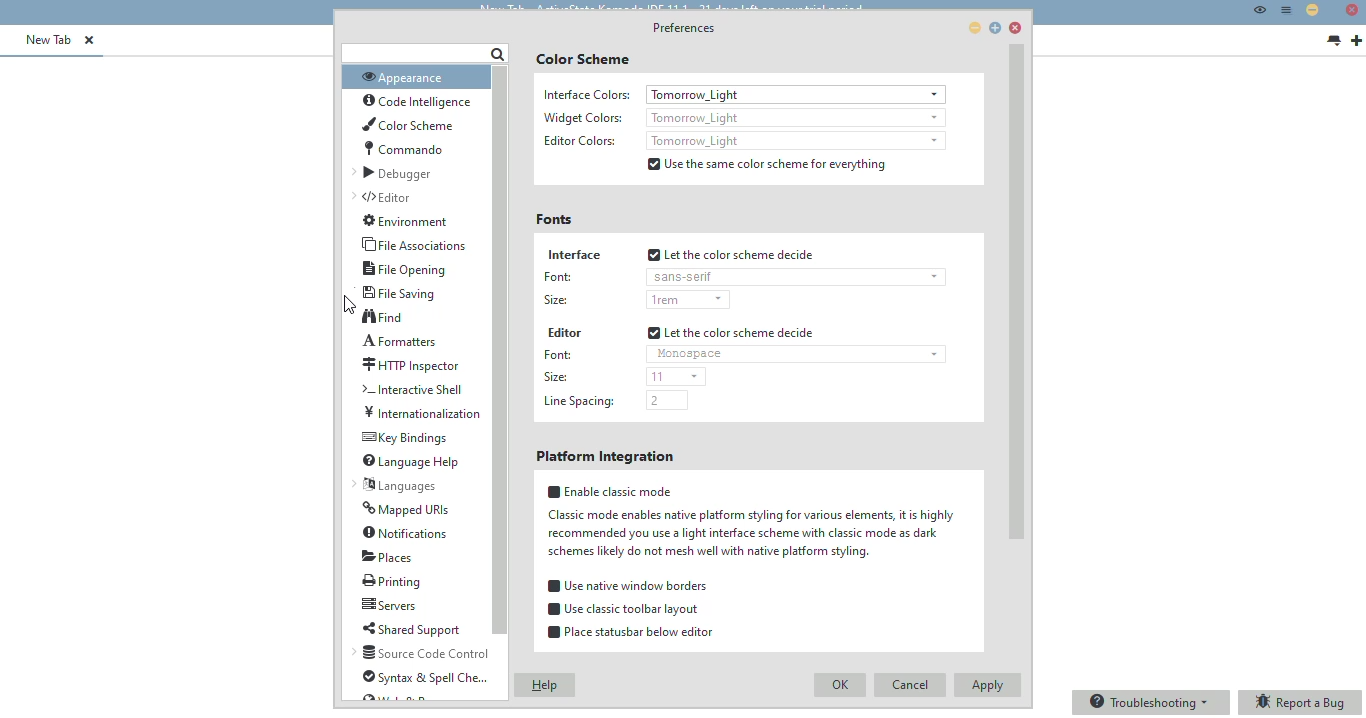 The height and width of the screenshot is (718, 1366). I want to click on report a bug, so click(1301, 703).